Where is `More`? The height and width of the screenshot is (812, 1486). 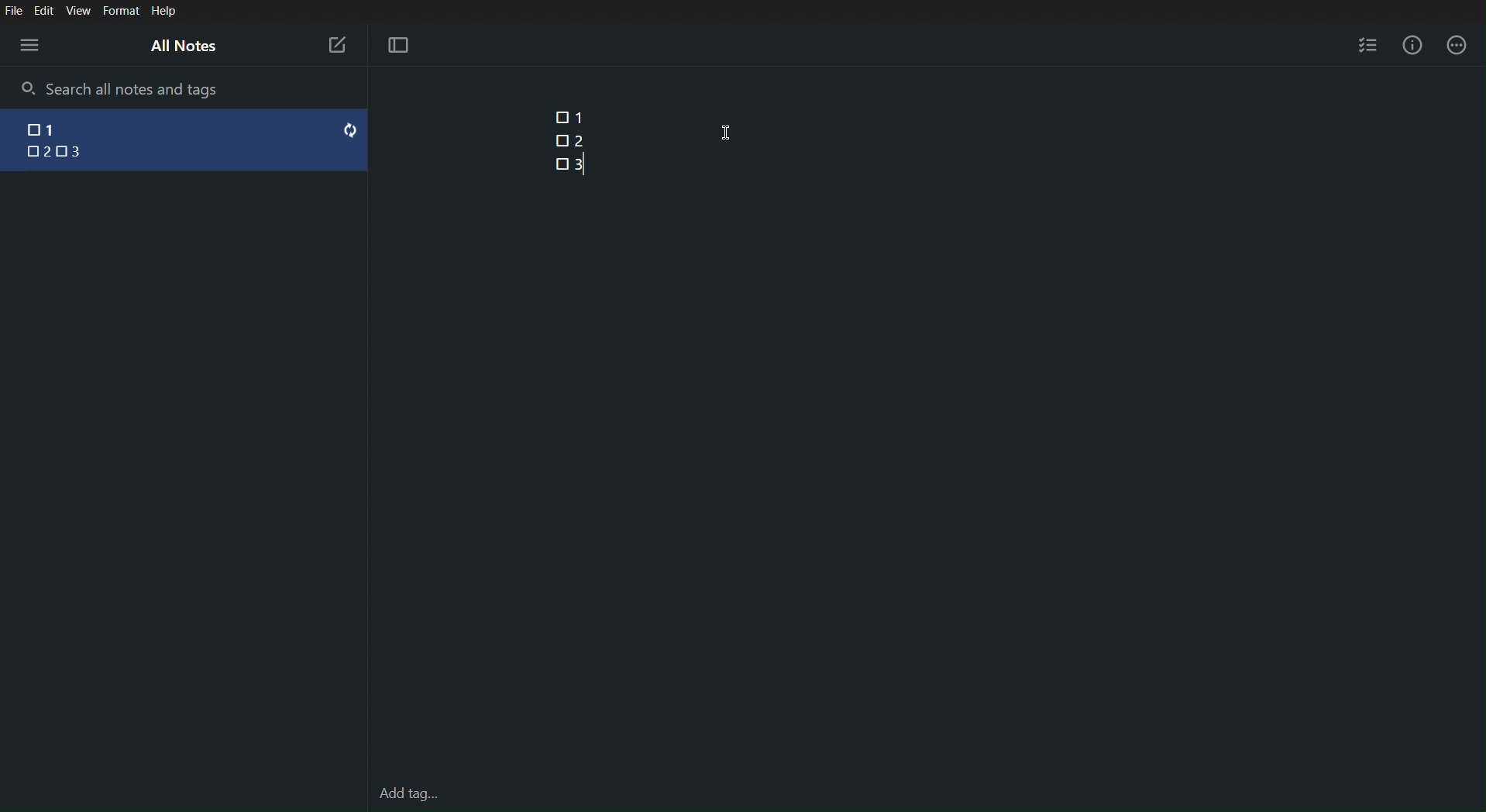 More is located at coordinates (1457, 45).